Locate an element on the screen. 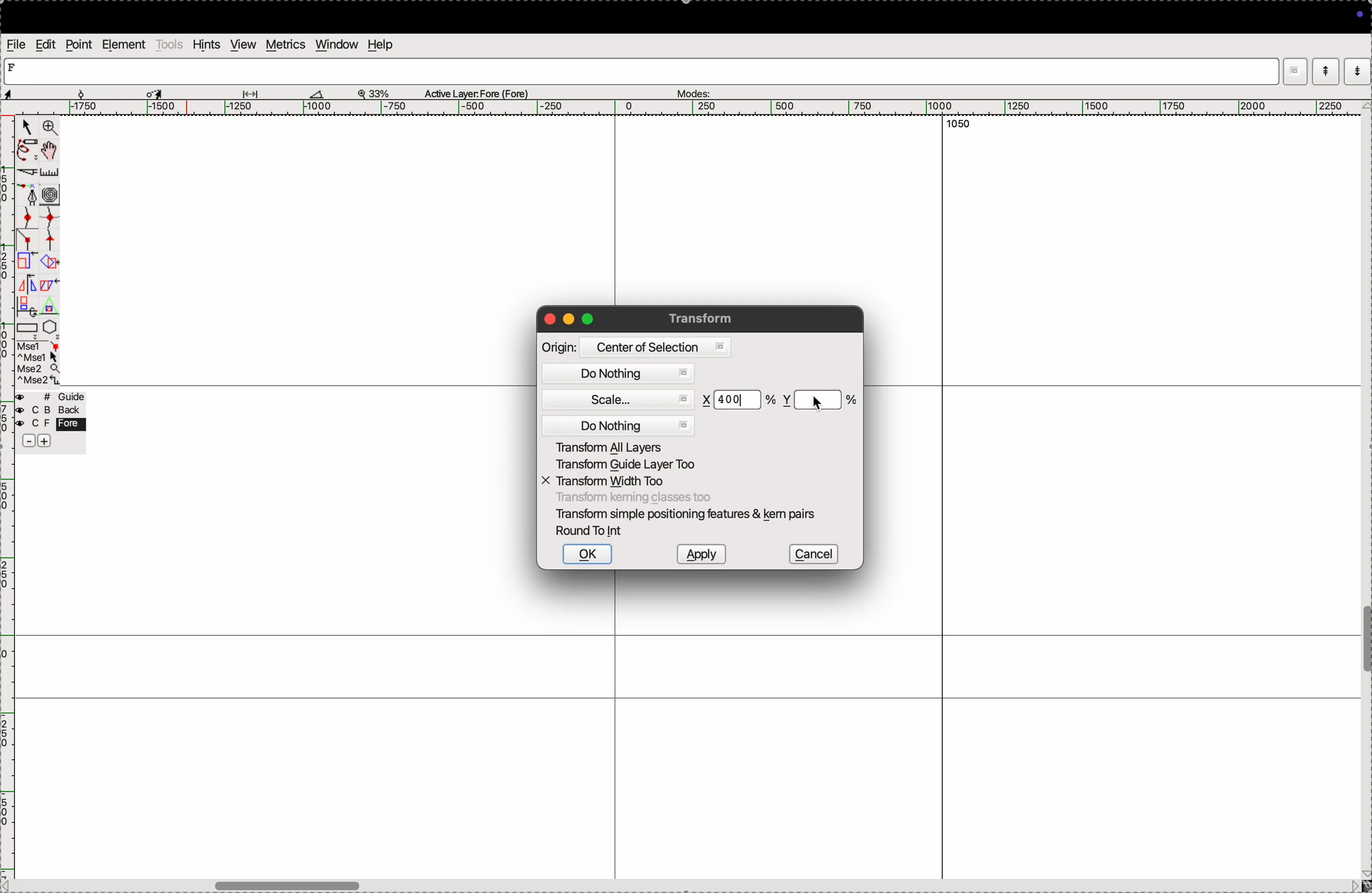 The width and height of the screenshot is (1372, 893). toogle is located at coordinates (311, 883).